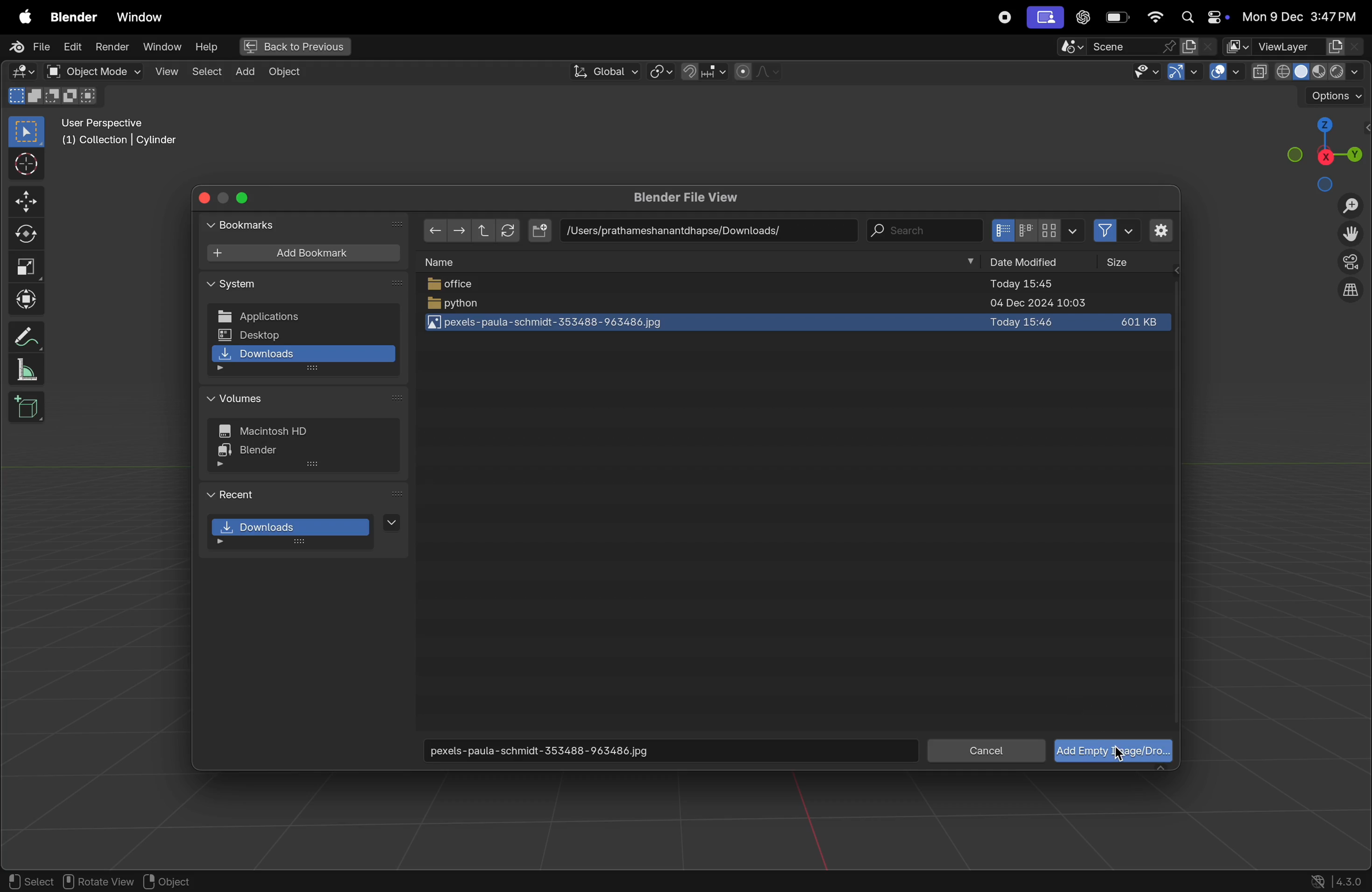 This screenshot has width=1372, height=892. I want to click on measure, so click(28, 371).